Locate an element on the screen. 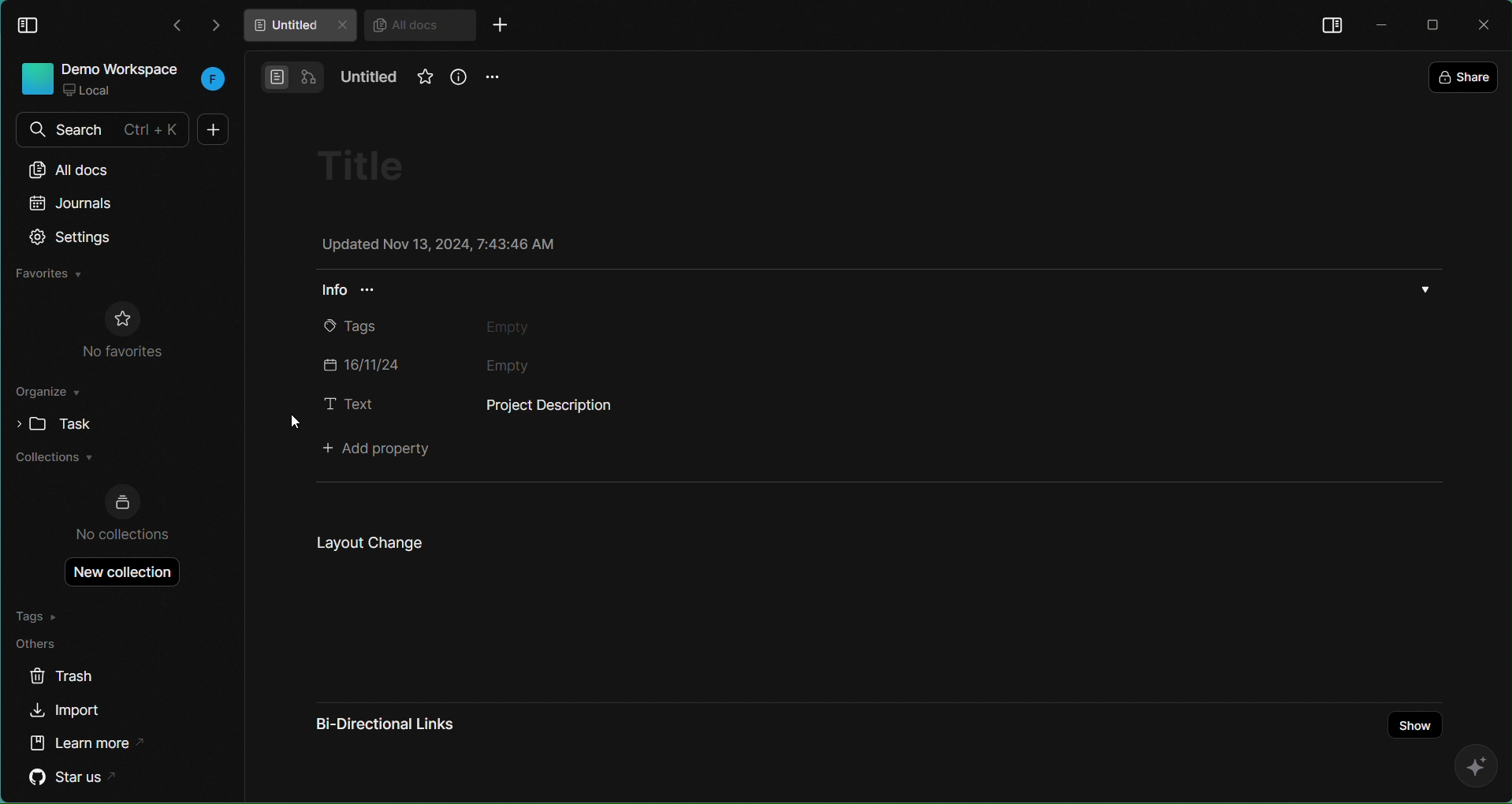  Typed is located at coordinates (568, 407).